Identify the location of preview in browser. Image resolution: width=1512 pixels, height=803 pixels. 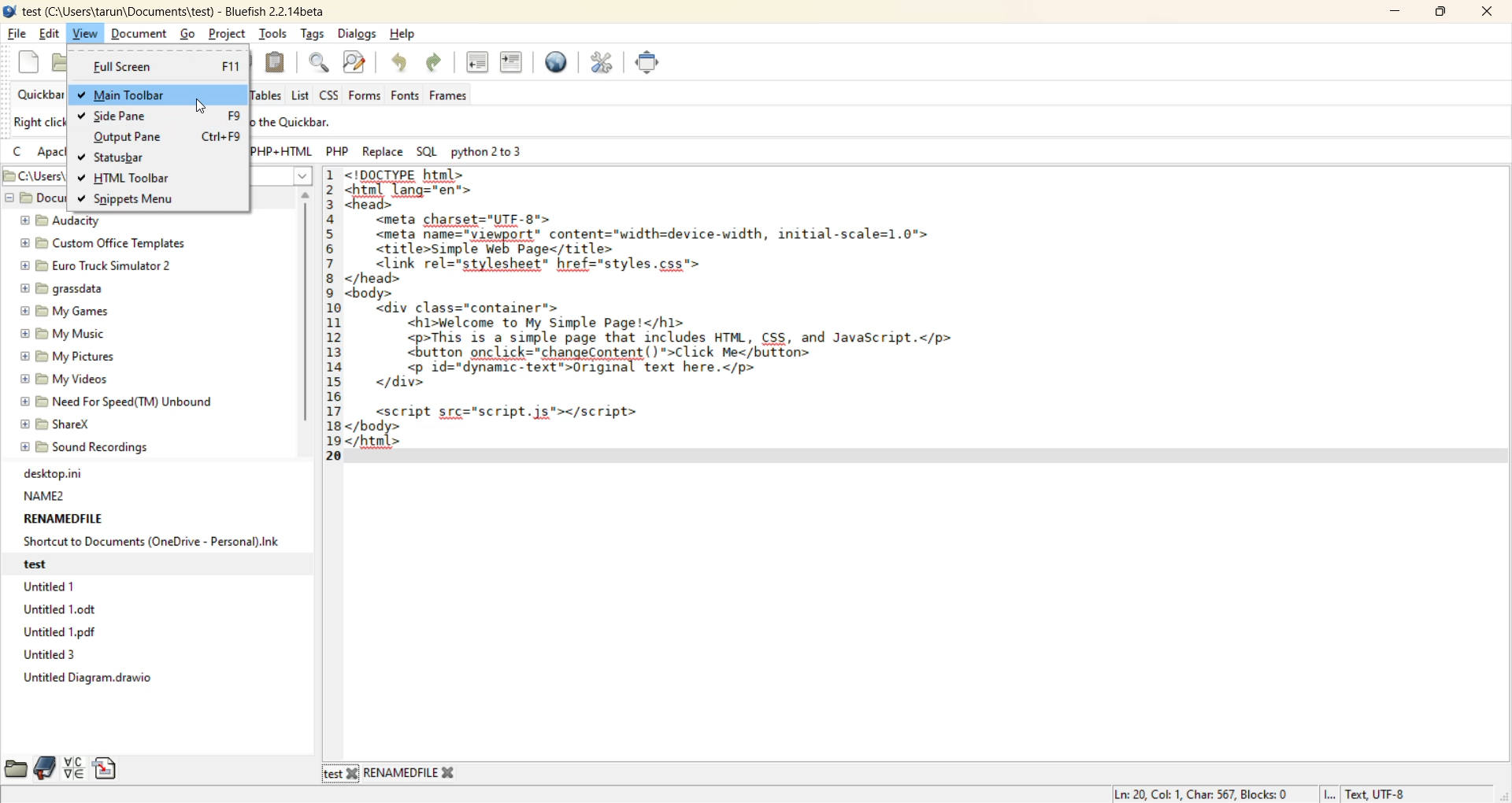
(558, 64).